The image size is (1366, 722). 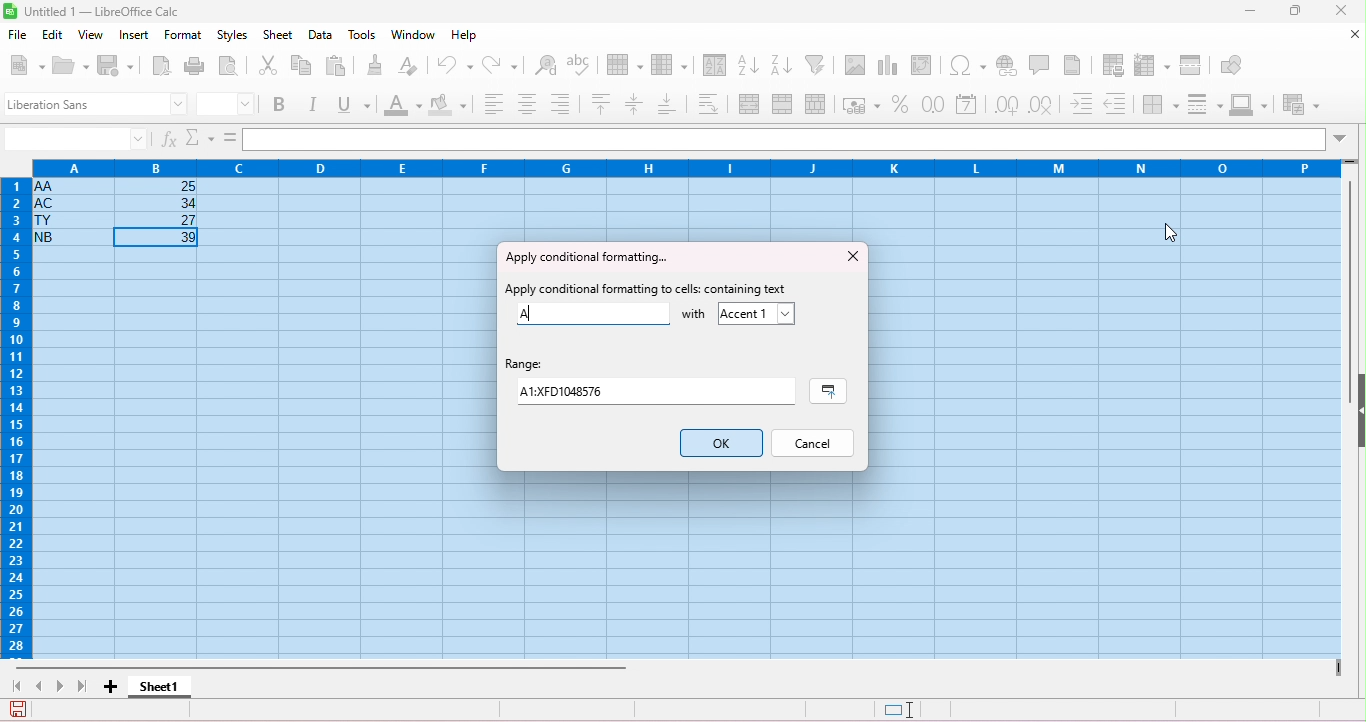 What do you see at coordinates (819, 64) in the screenshot?
I see `filter` at bounding box center [819, 64].